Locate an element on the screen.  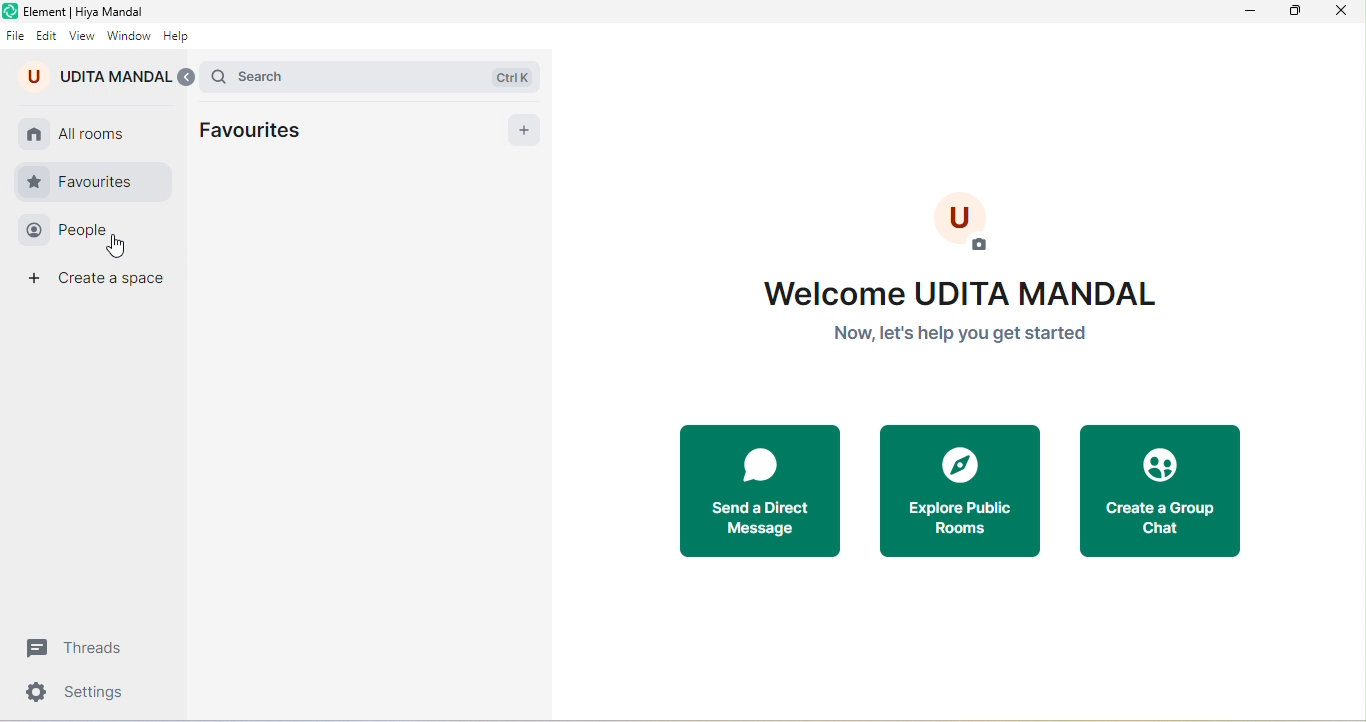
cursor is located at coordinates (115, 248).